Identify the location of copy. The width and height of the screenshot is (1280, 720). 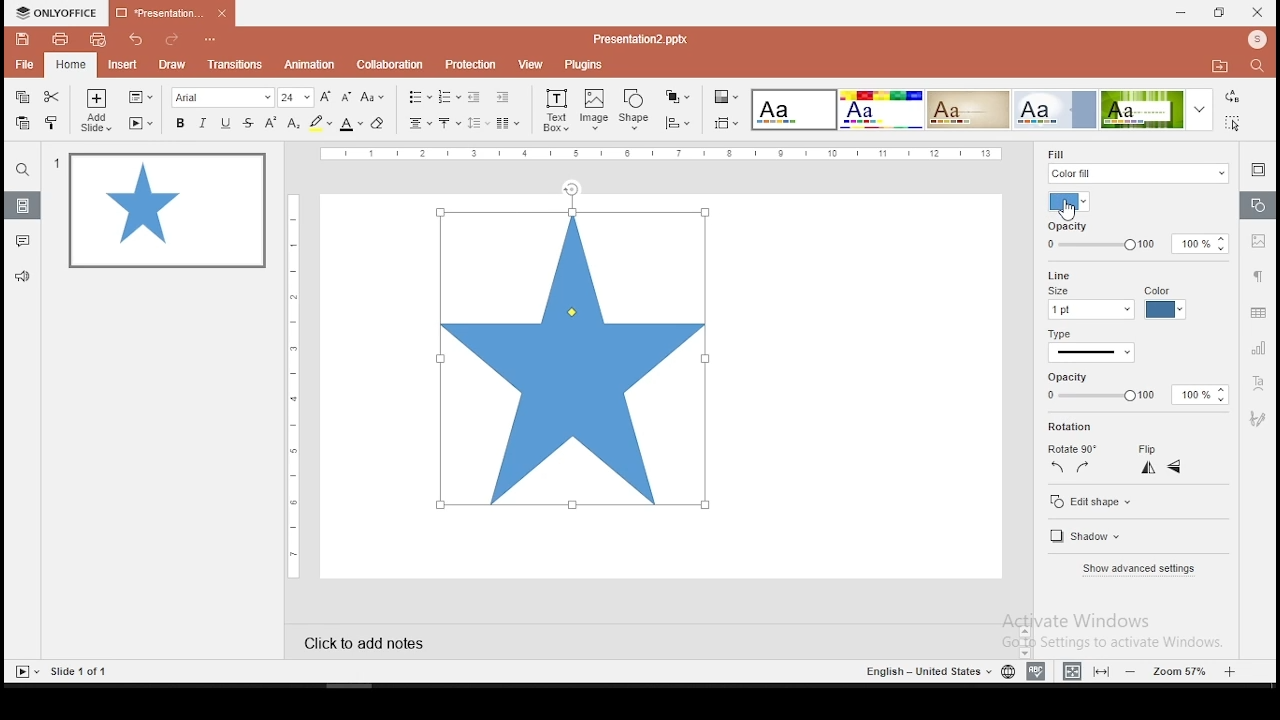
(21, 98).